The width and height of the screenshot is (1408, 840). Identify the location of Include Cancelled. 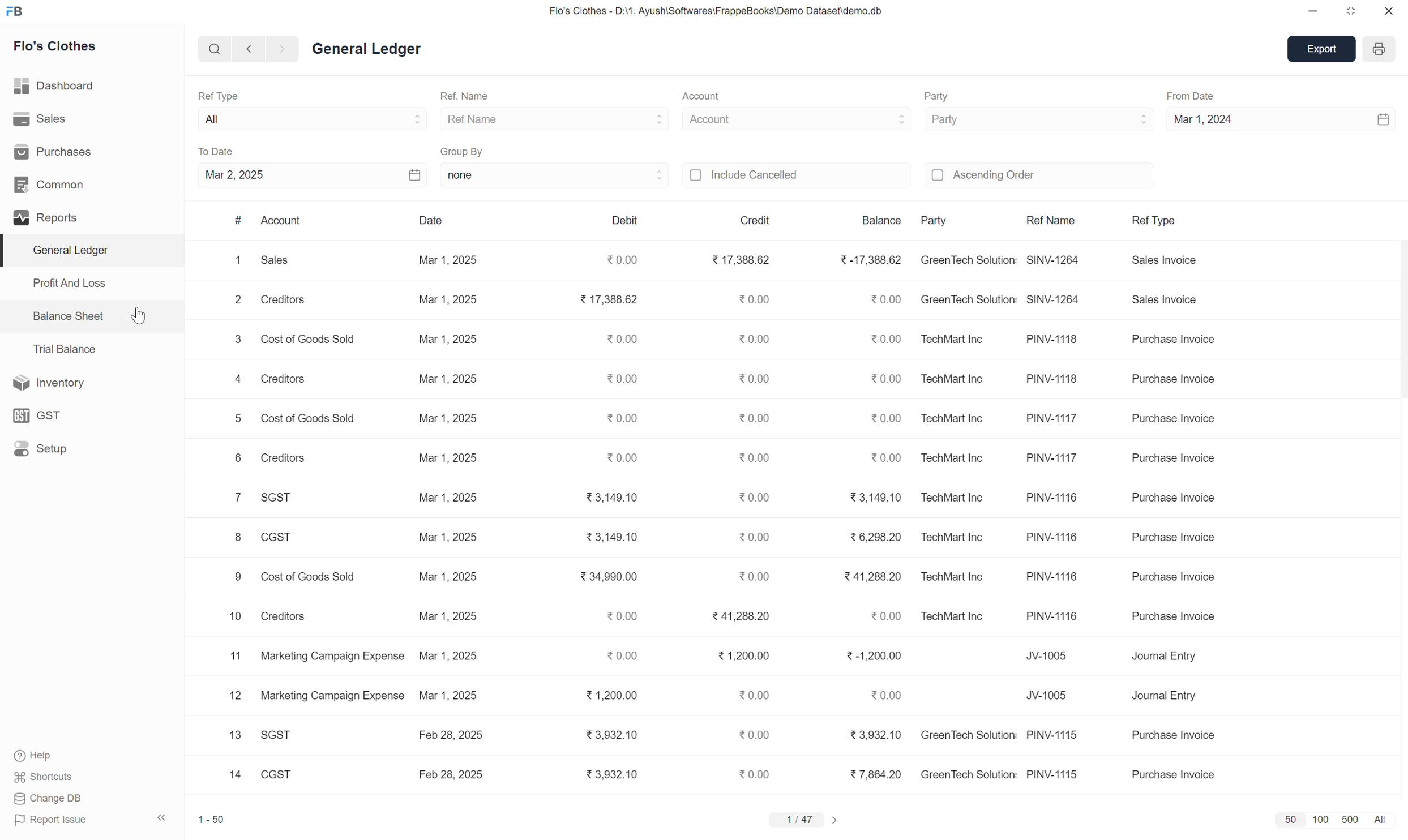
(760, 175).